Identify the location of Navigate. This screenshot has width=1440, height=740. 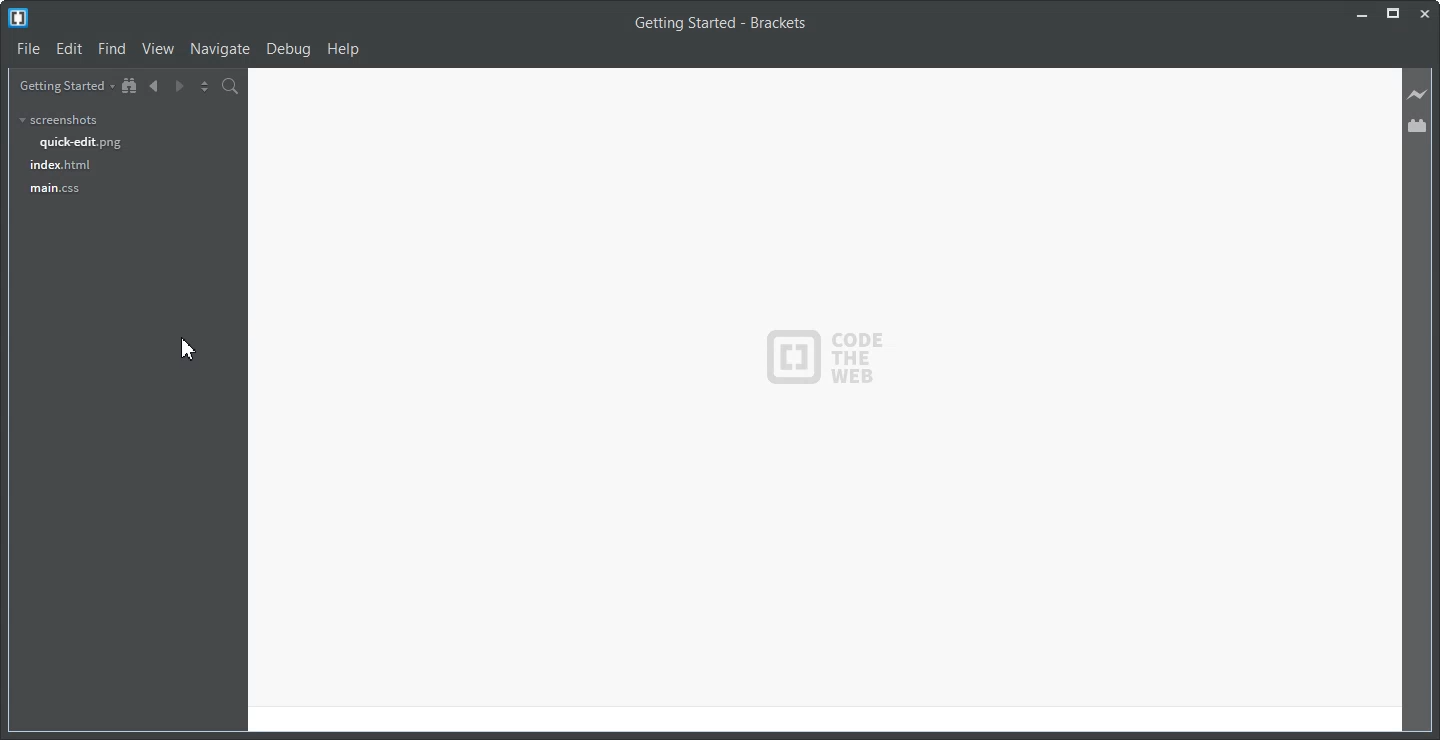
(221, 50).